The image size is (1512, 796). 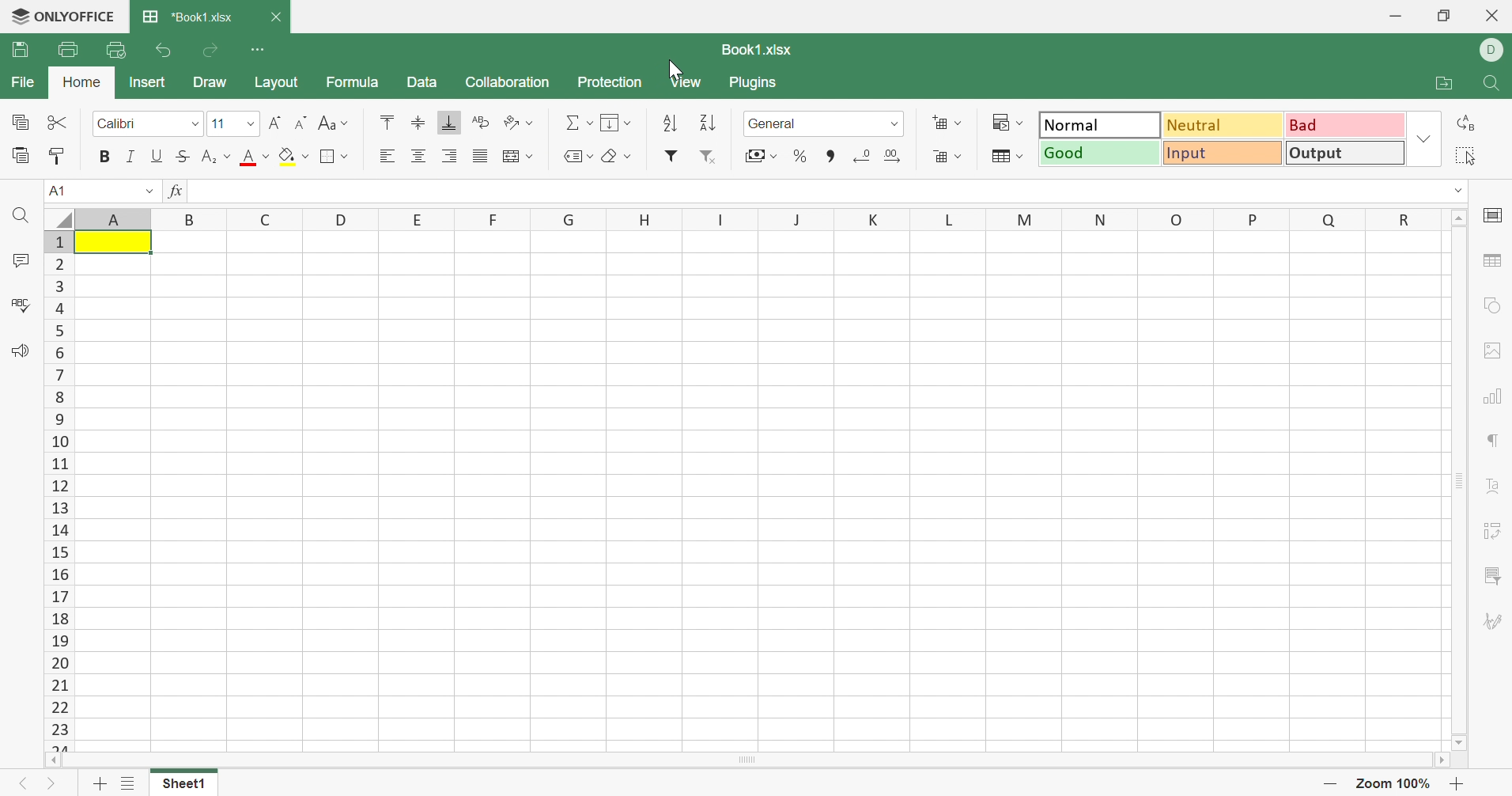 What do you see at coordinates (1464, 124) in the screenshot?
I see `Replace` at bounding box center [1464, 124].